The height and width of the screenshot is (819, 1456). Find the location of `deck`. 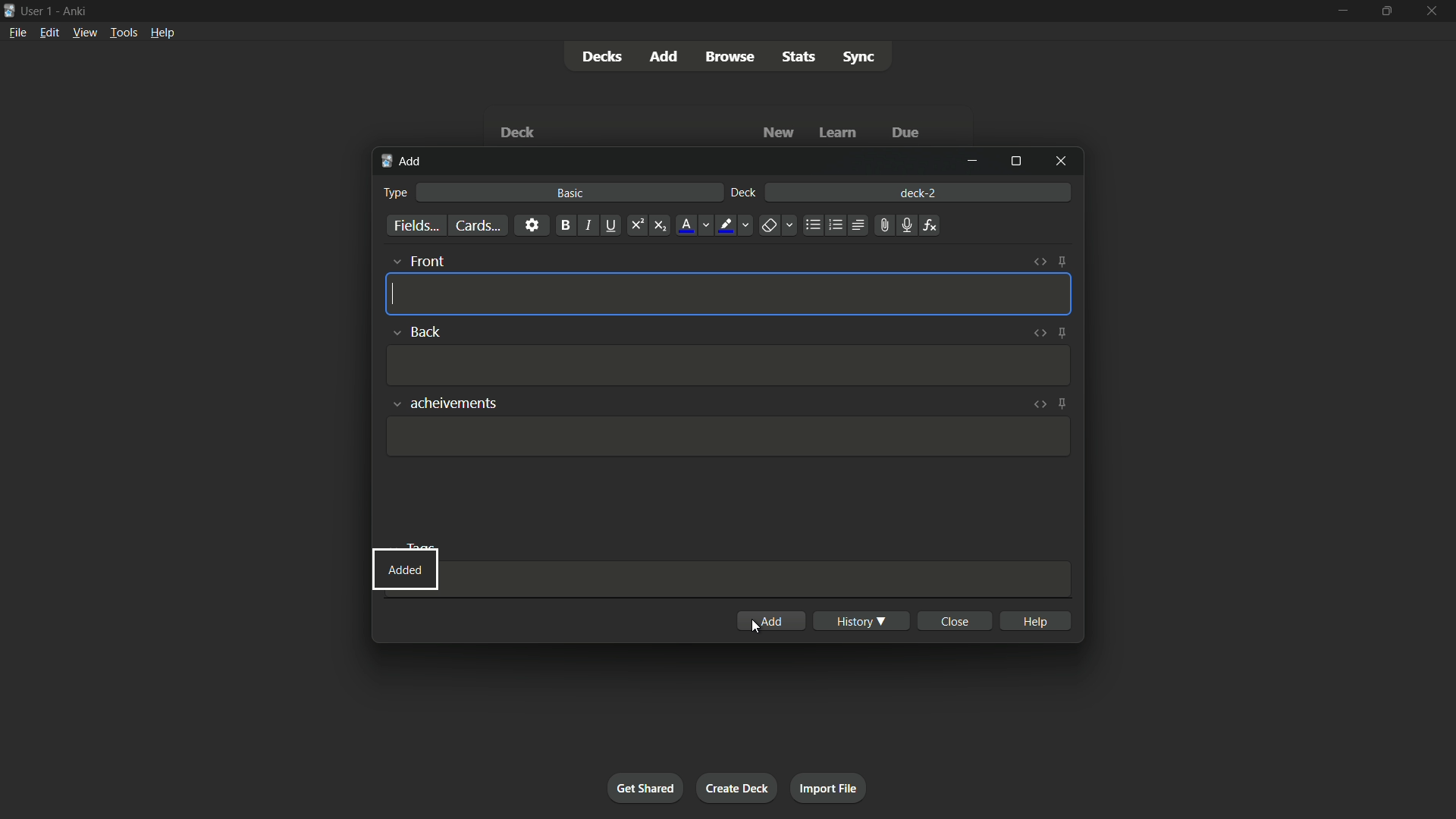

deck is located at coordinates (743, 193).